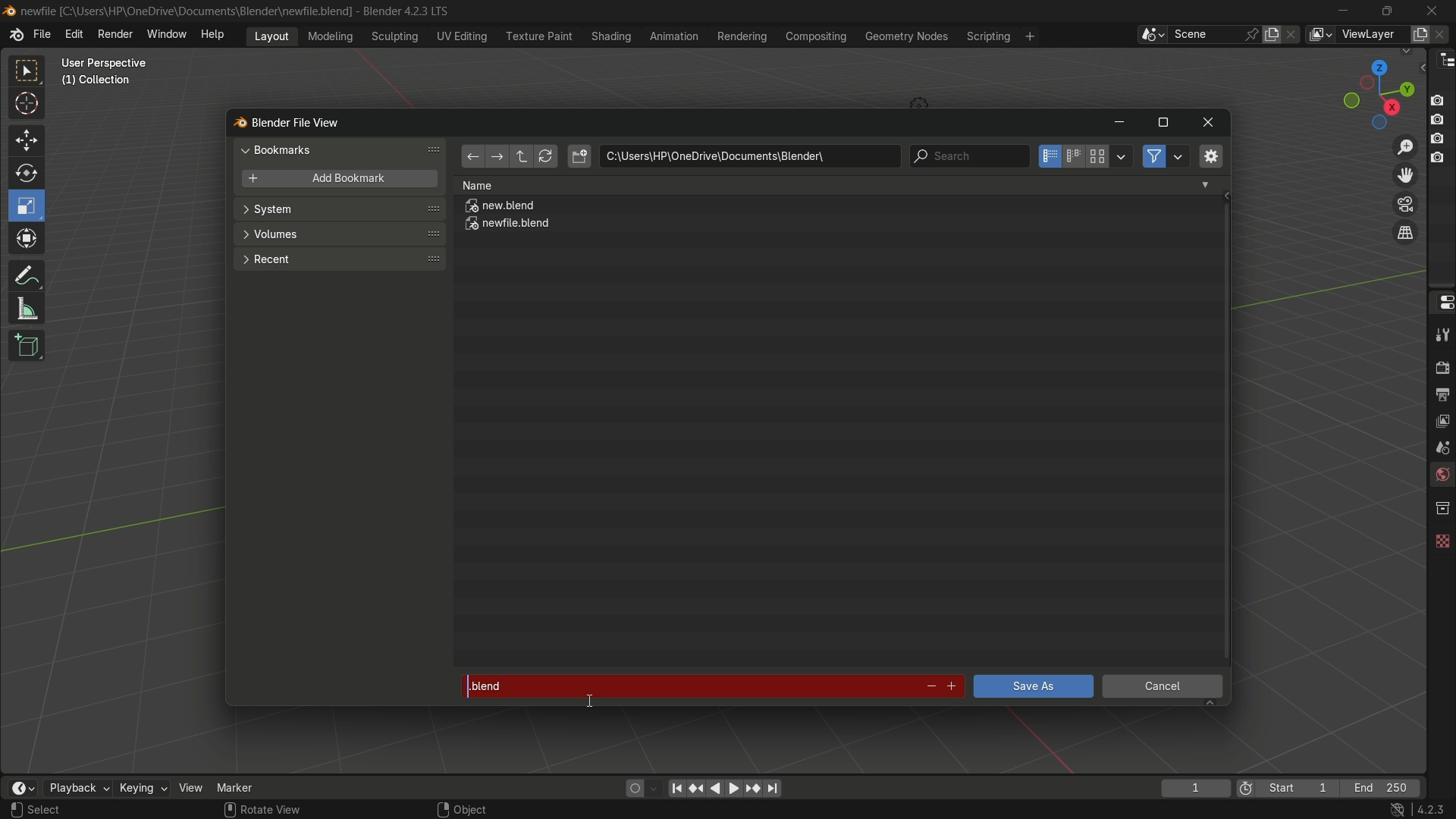 This screenshot has height=819, width=1456. Describe the element at coordinates (1432, 10) in the screenshot. I see `close app` at that location.